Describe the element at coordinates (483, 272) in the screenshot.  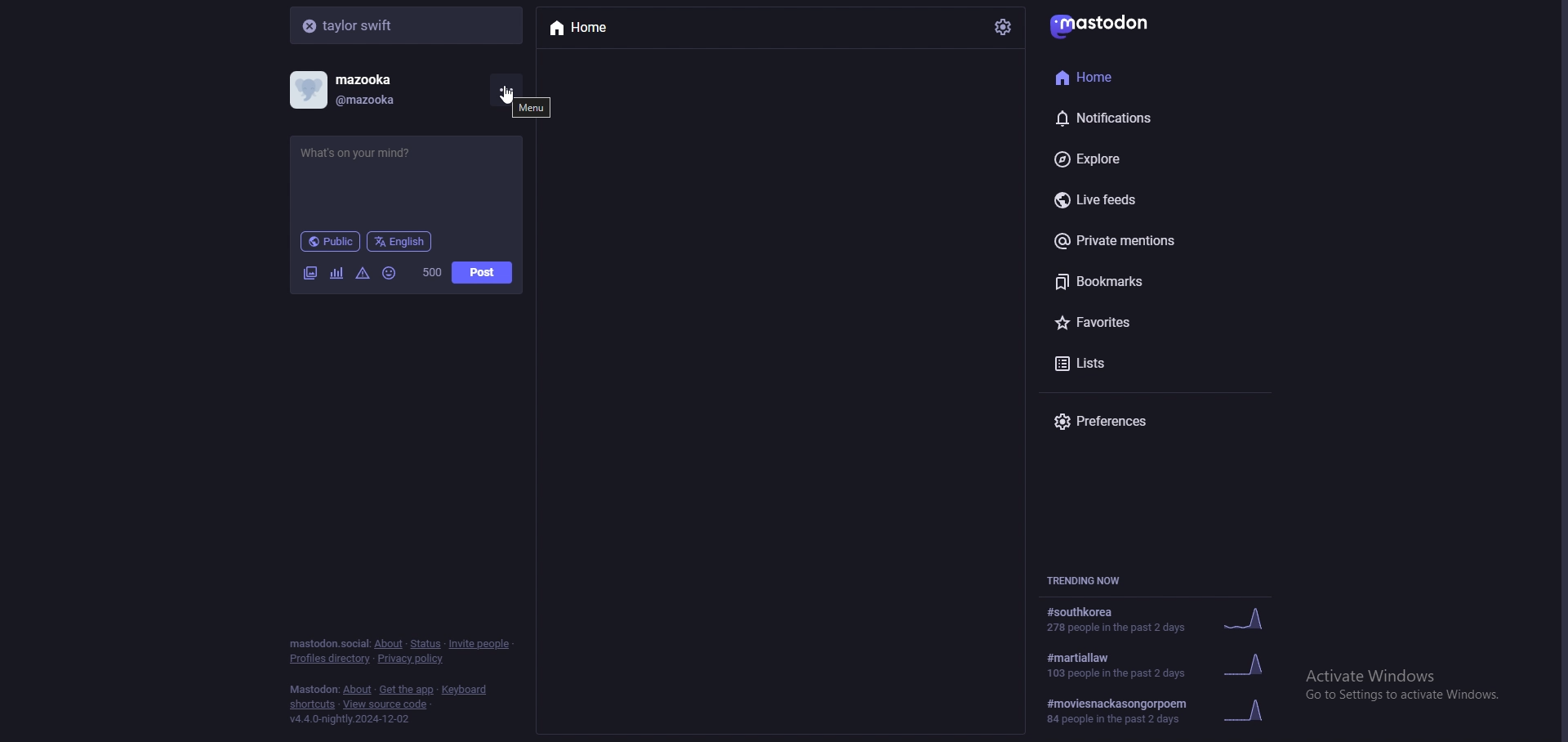
I see `post` at that location.